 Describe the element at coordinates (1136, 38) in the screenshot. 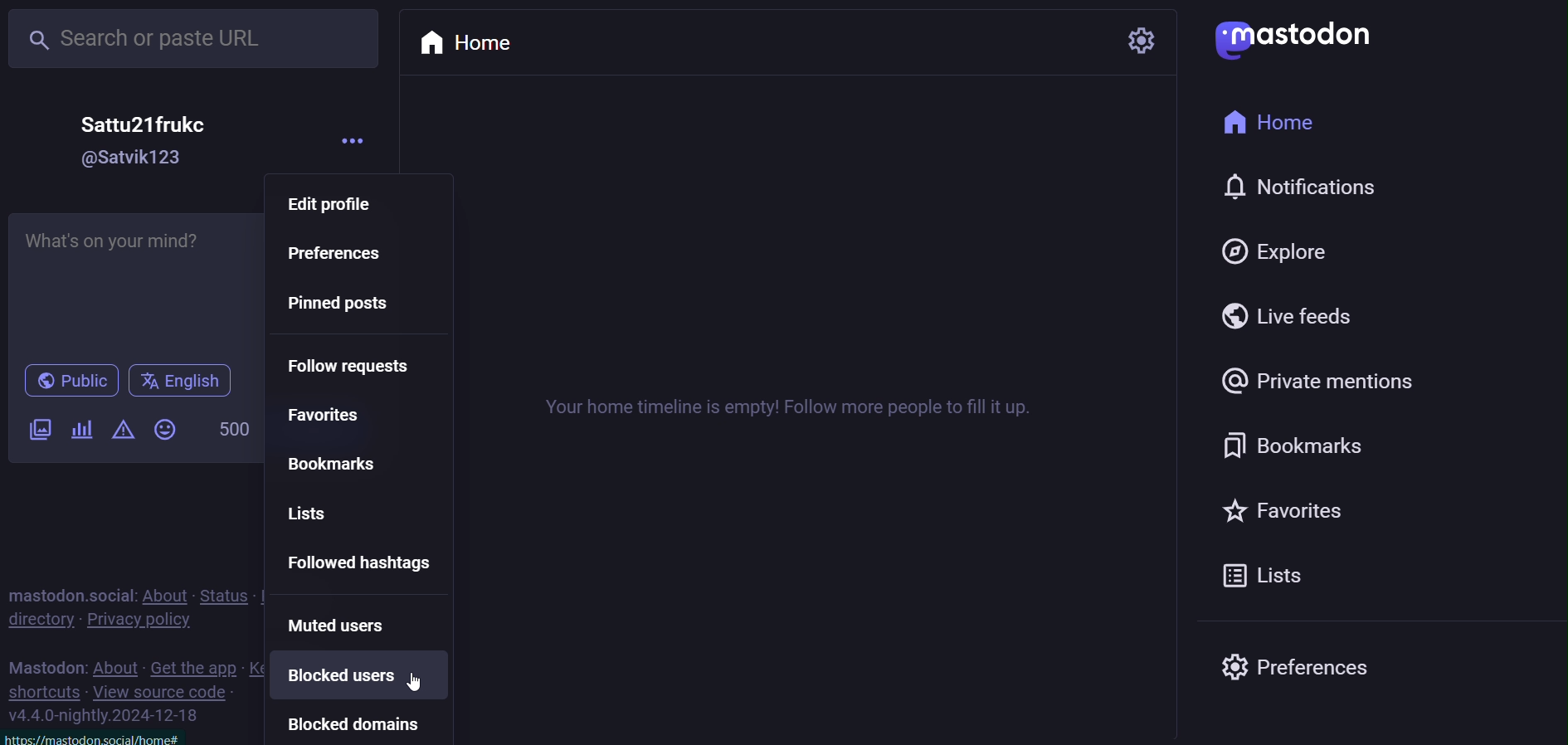

I see `setting` at that location.